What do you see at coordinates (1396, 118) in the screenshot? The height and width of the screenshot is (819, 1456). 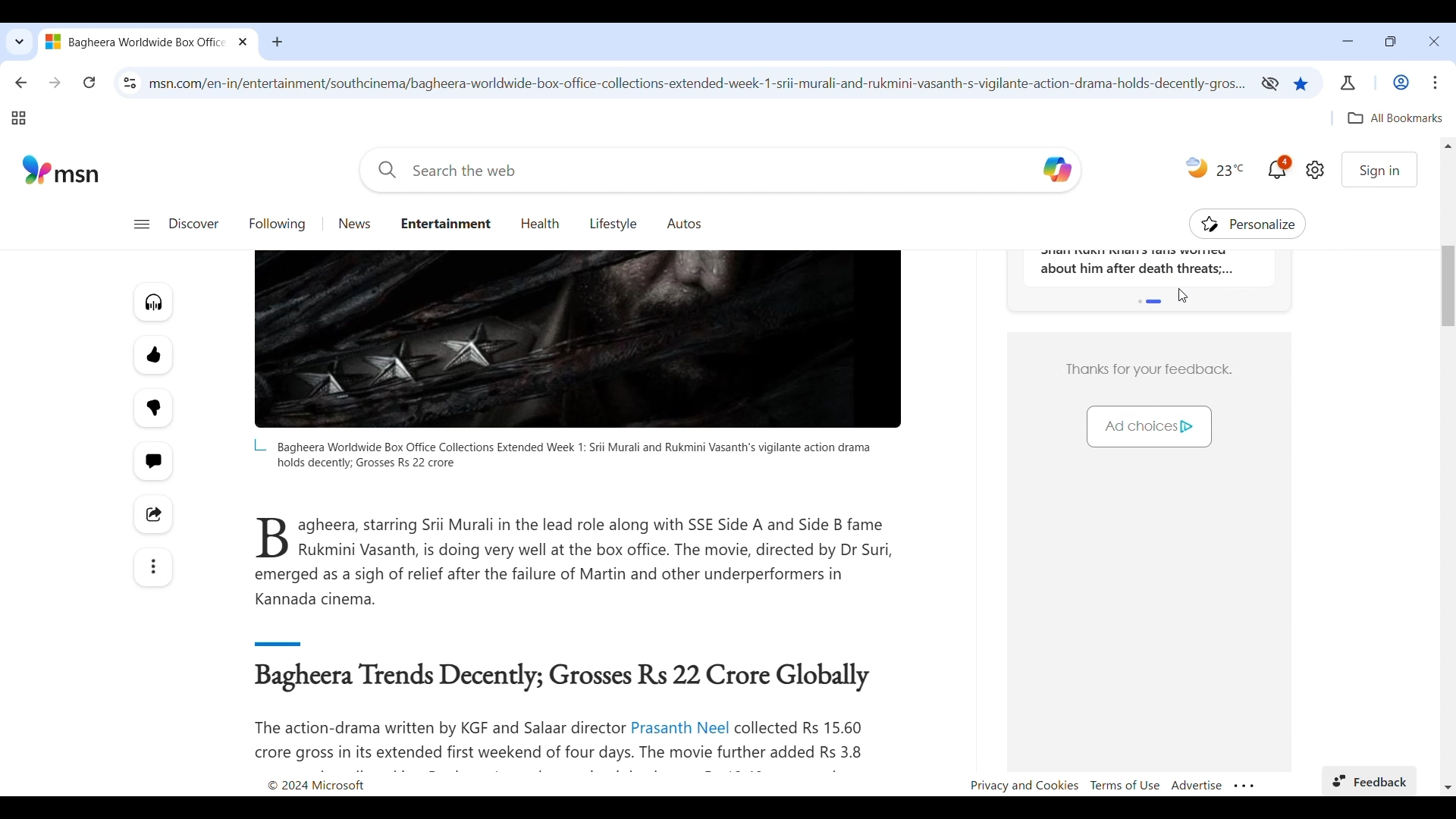 I see `Quick access to all bookmarked pages/links` at bounding box center [1396, 118].